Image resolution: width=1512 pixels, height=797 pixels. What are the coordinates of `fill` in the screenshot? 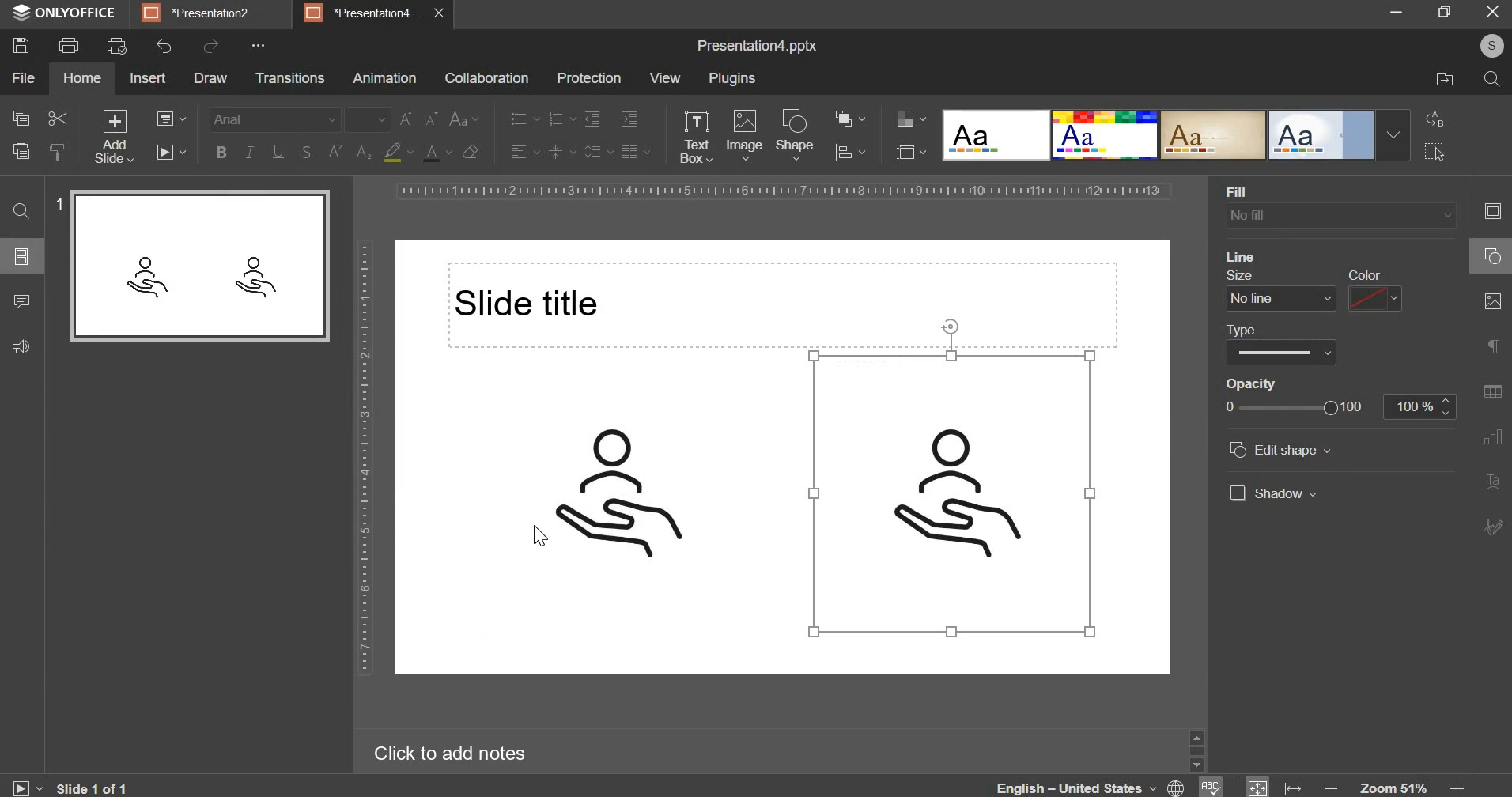 It's located at (1242, 191).